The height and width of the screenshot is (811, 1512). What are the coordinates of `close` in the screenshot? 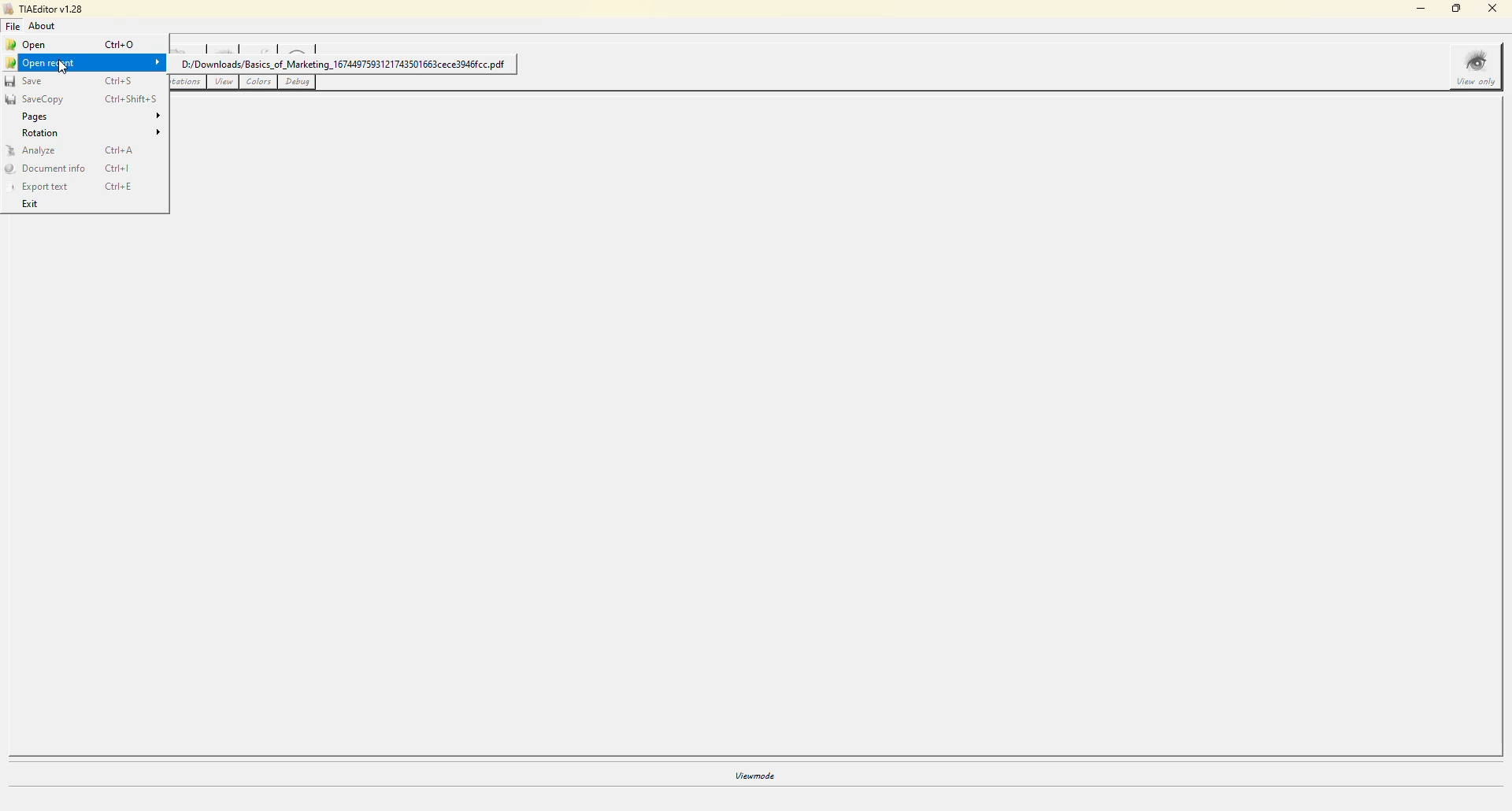 It's located at (1493, 9).